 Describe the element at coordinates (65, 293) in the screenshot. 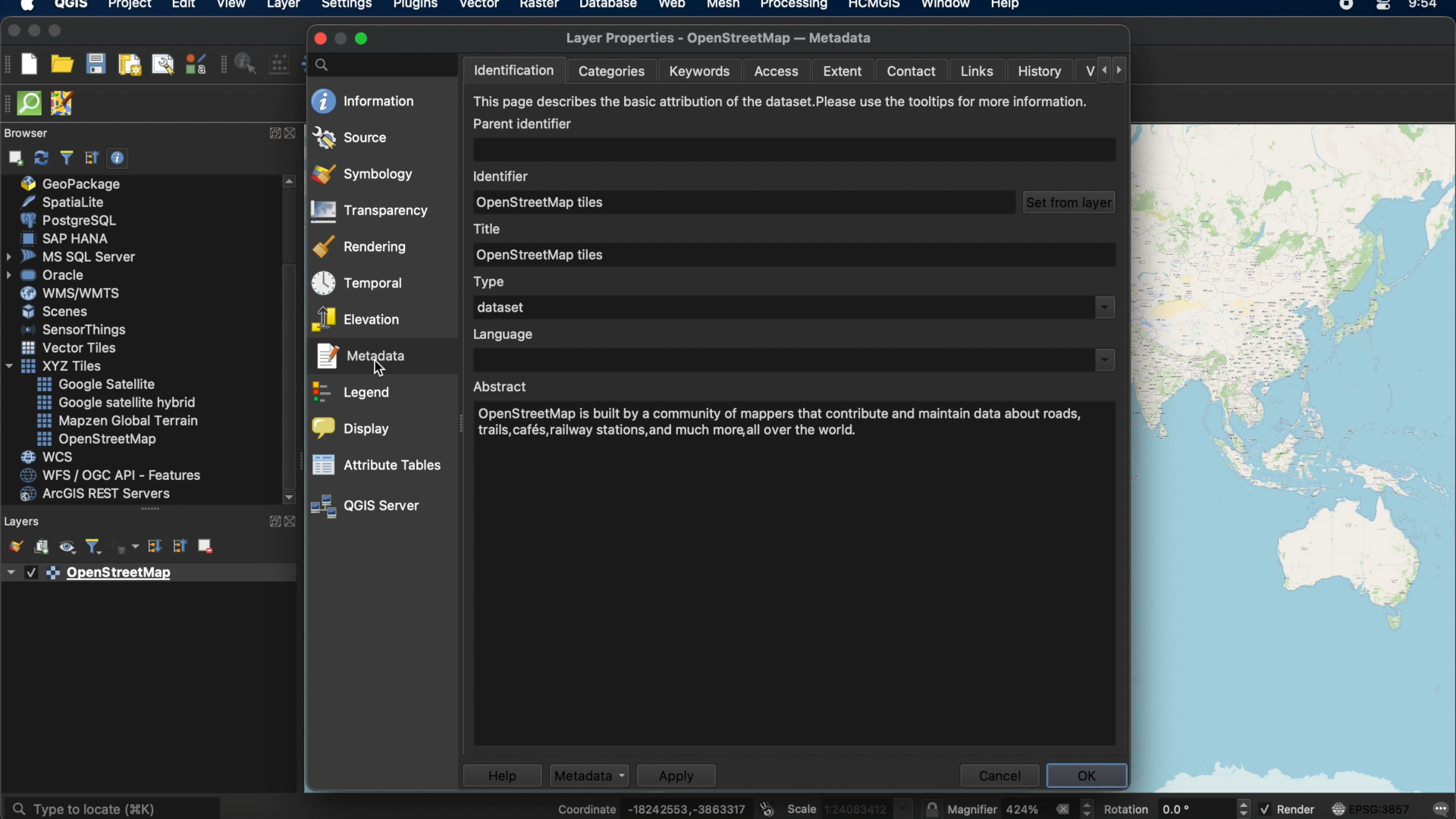

I see `wms/wmts` at that location.